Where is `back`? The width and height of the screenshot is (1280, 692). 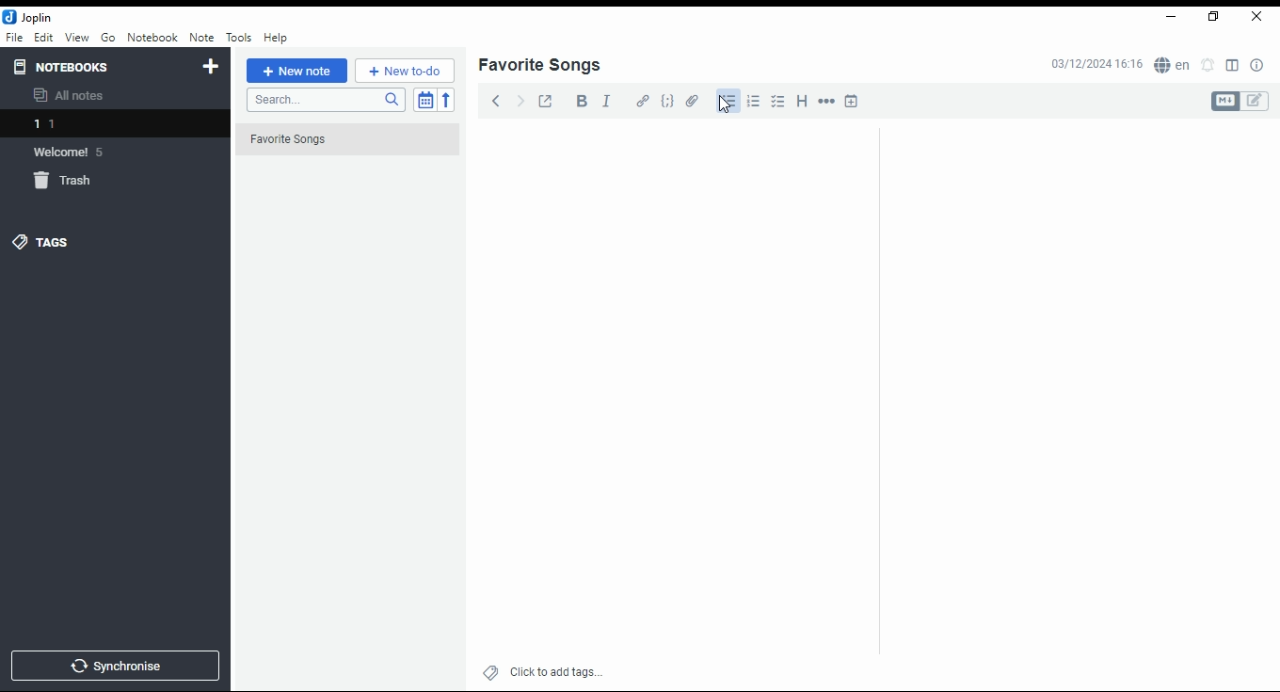 back is located at coordinates (496, 100).